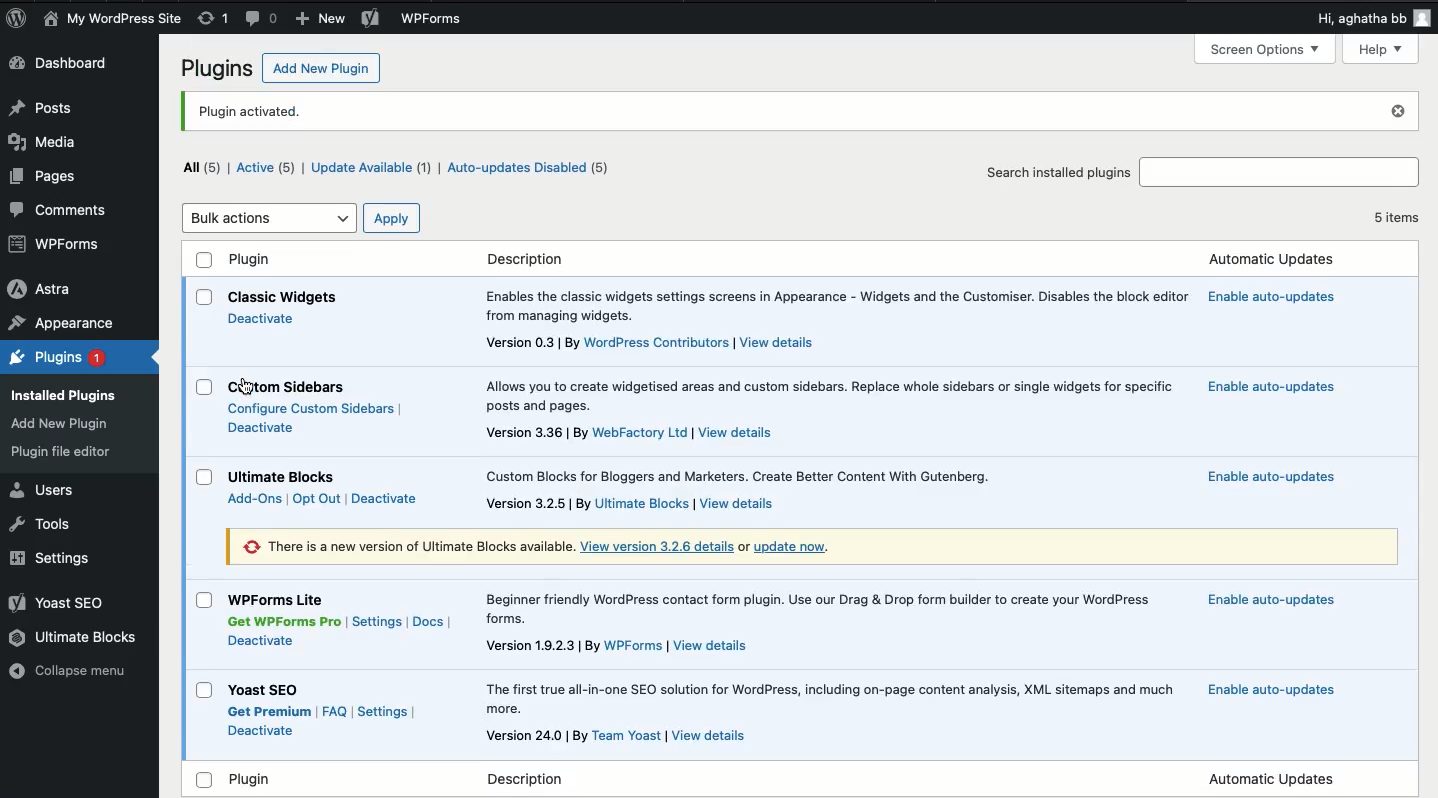  Describe the element at coordinates (737, 504) in the screenshot. I see `view details` at that location.